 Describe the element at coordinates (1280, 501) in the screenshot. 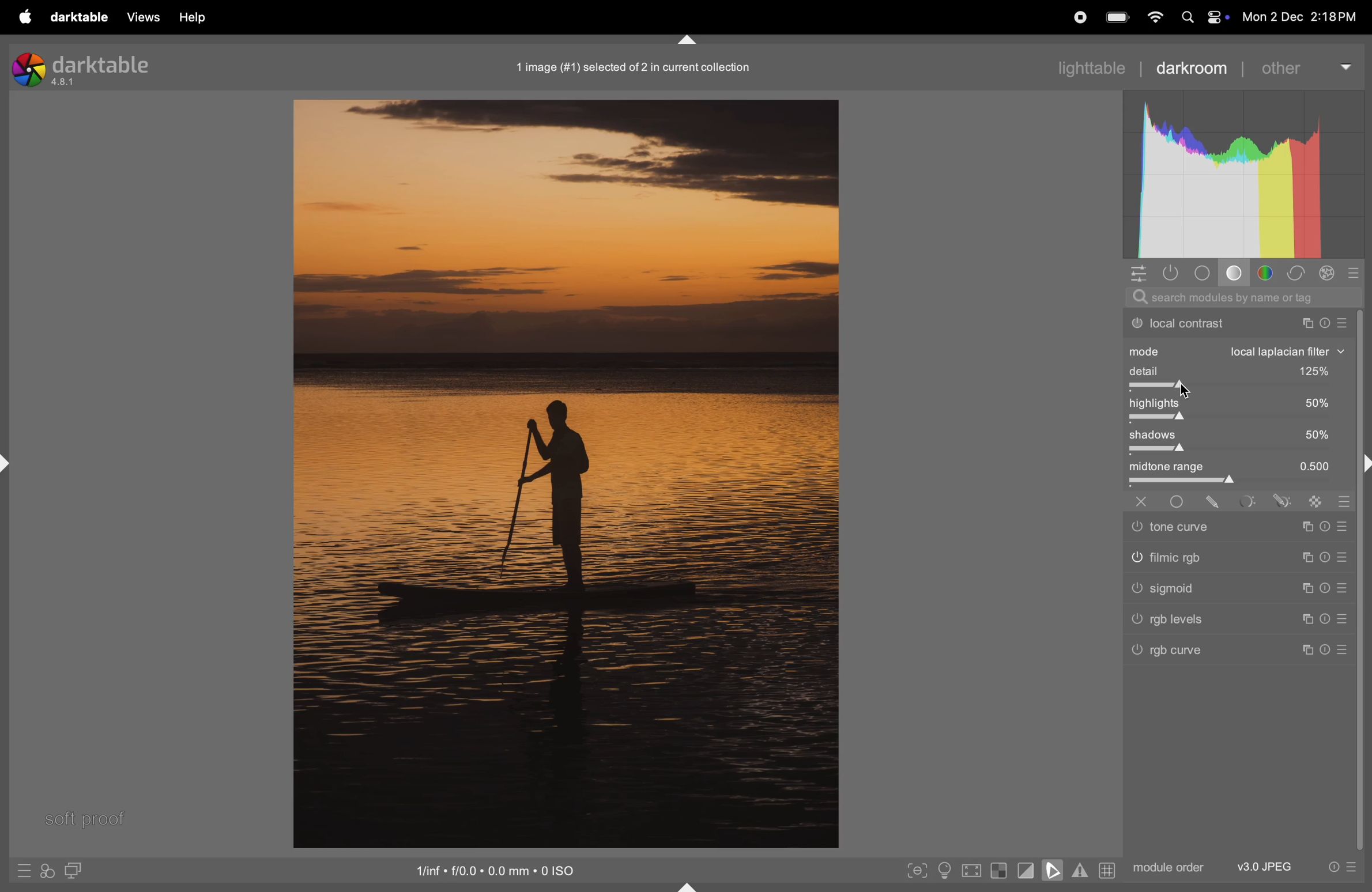

I see `sign` at that location.